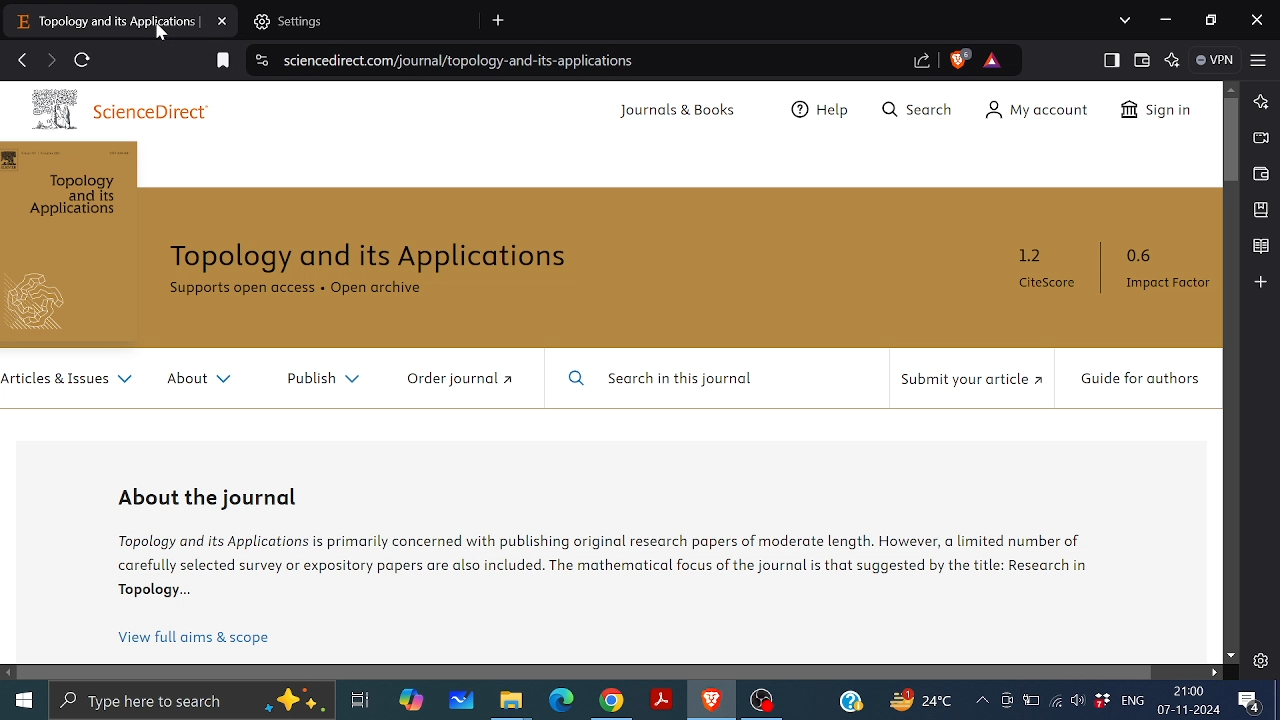 Image resolution: width=1280 pixels, height=720 pixels. What do you see at coordinates (466, 60) in the screenshot?
I see `Web address of the current page` at bounding box center [466, 60].